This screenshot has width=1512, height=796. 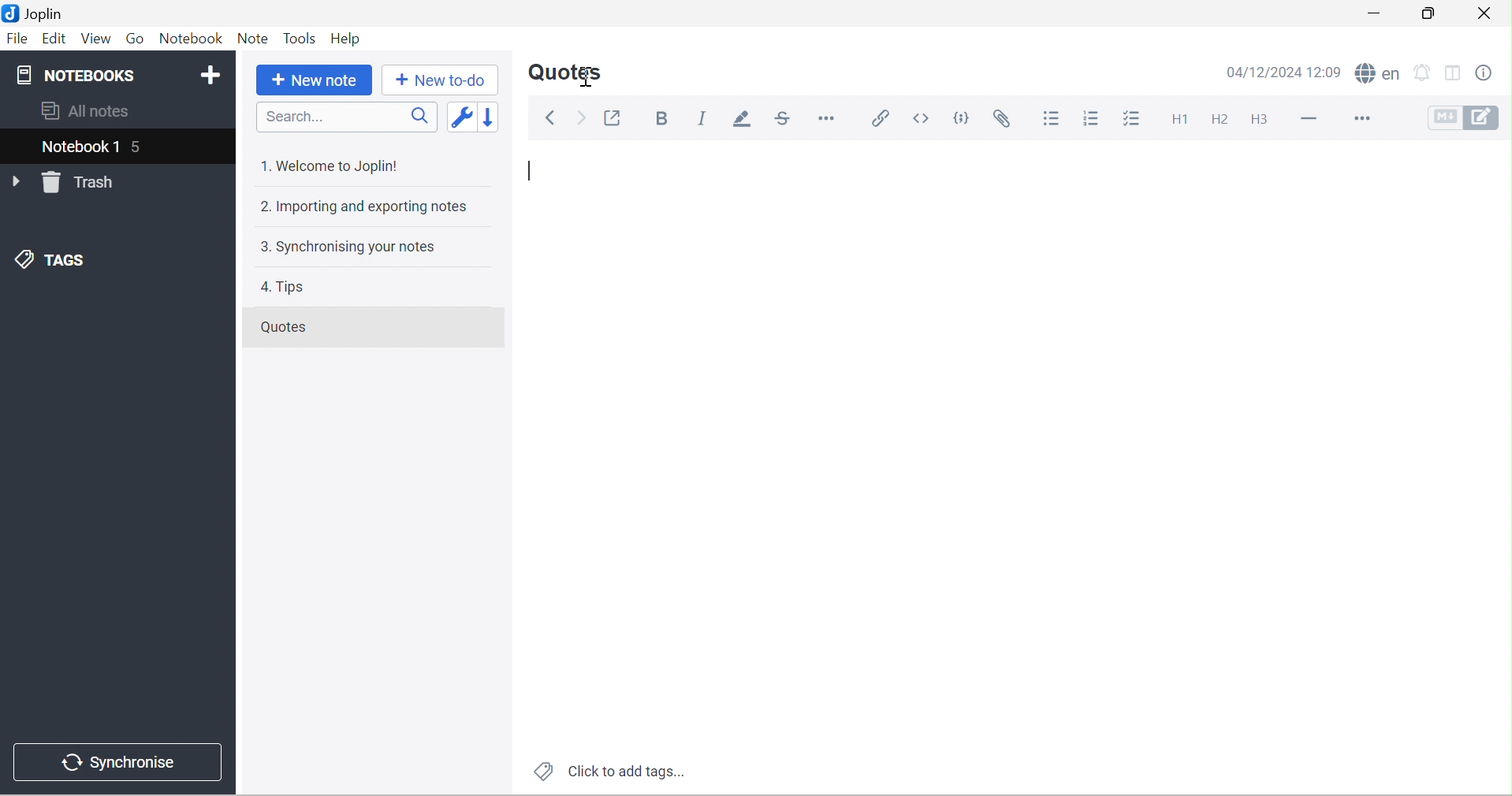 I want to click on Reverse sort order, so click(x=492, y=114).